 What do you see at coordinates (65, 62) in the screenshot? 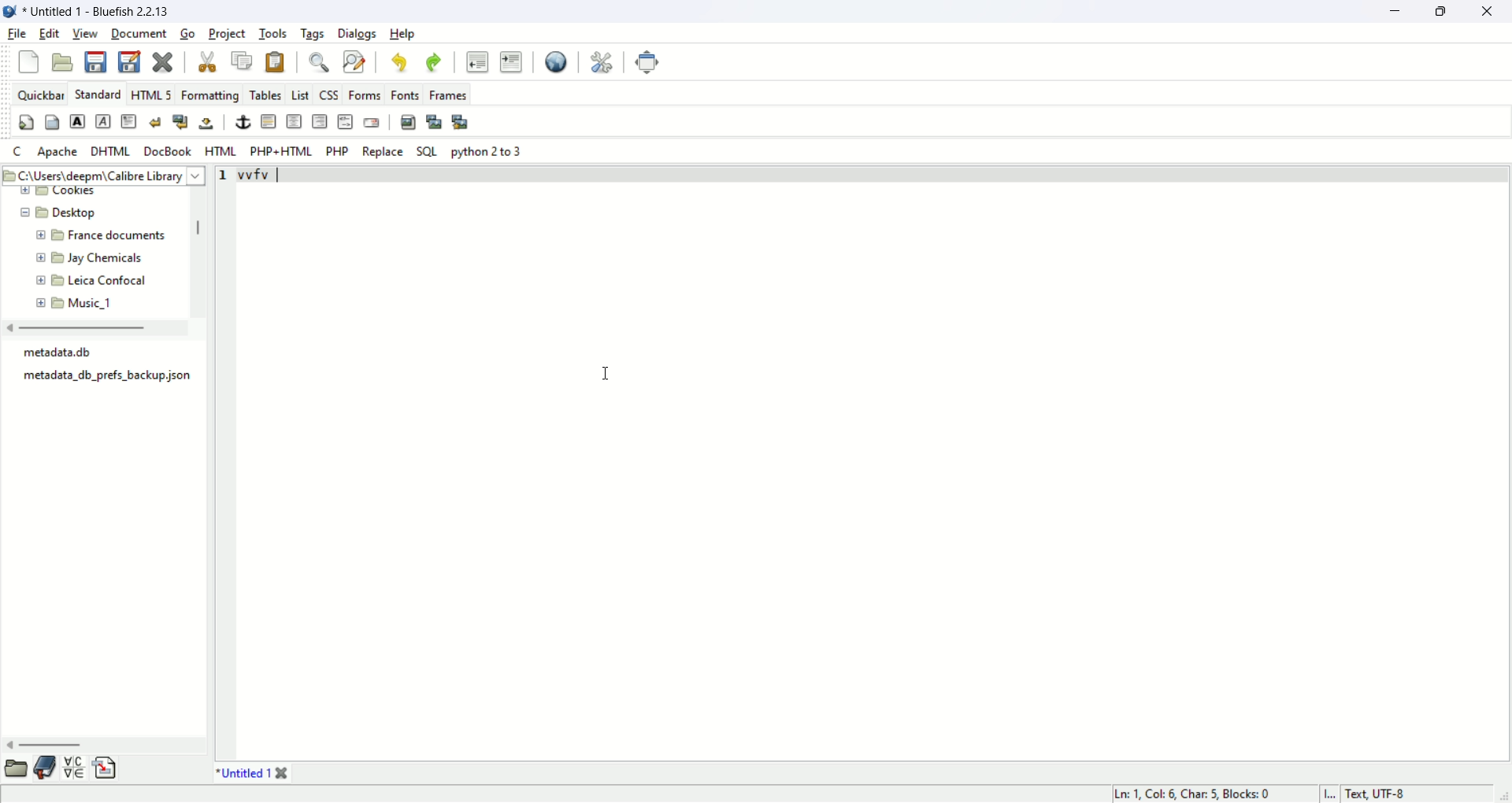
I see `open file` at bounding box center [65, 62].